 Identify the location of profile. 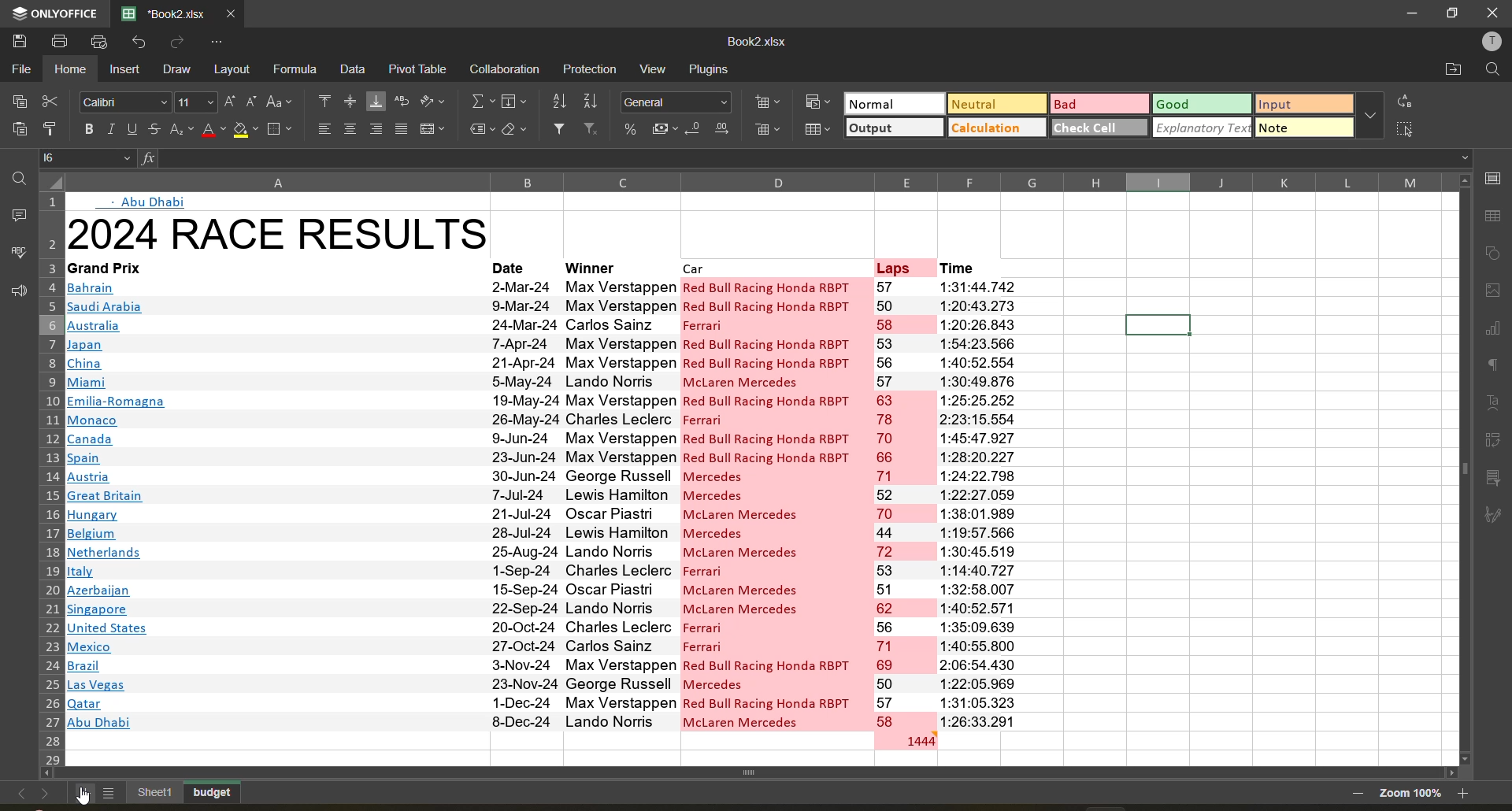
(1490, 41).